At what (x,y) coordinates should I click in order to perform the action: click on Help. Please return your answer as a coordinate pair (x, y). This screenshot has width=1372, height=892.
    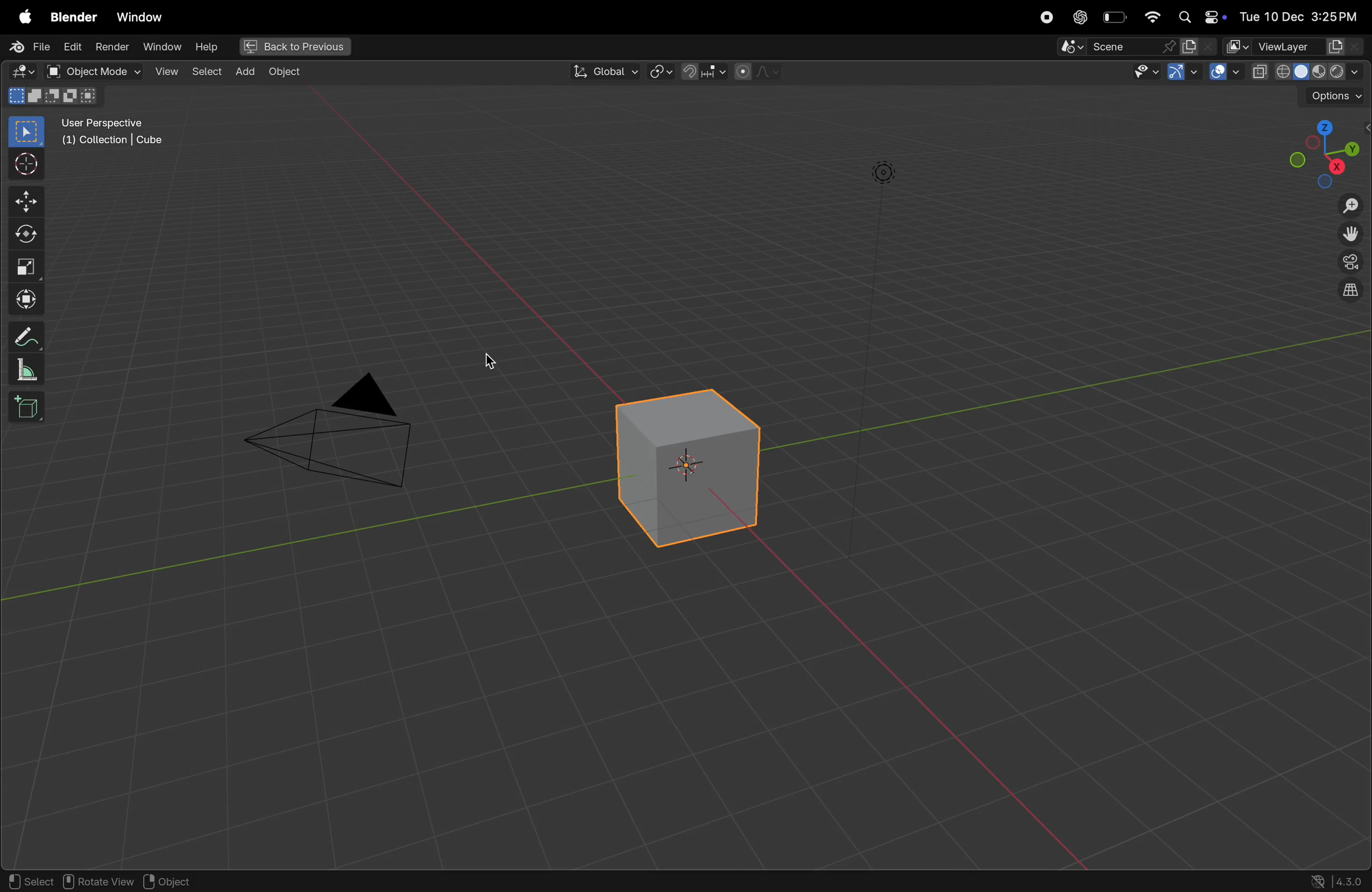
    Looking at the image, I should click on (208, 47).